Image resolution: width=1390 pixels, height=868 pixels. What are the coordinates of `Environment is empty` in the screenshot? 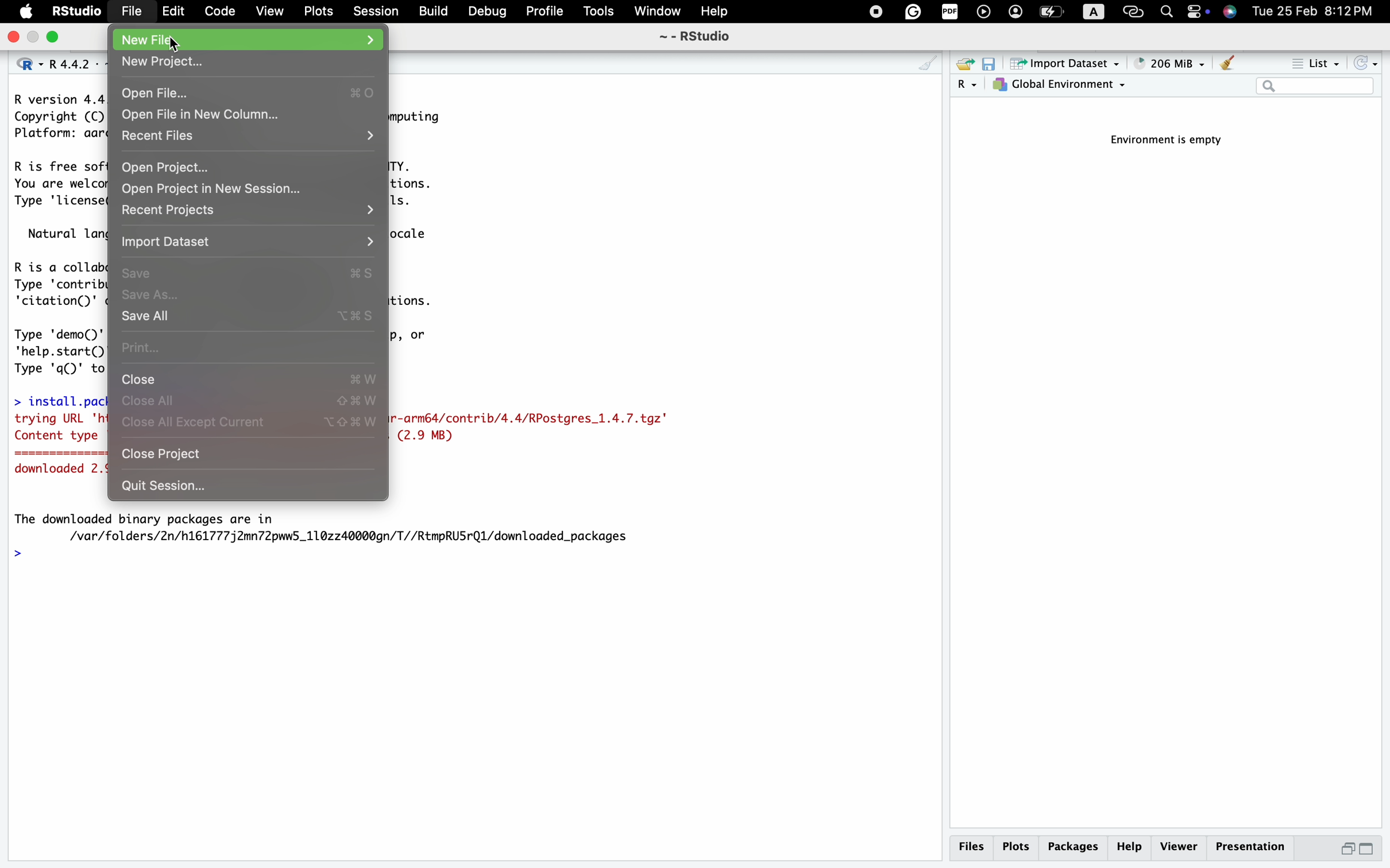 It's located at (1173, 141).